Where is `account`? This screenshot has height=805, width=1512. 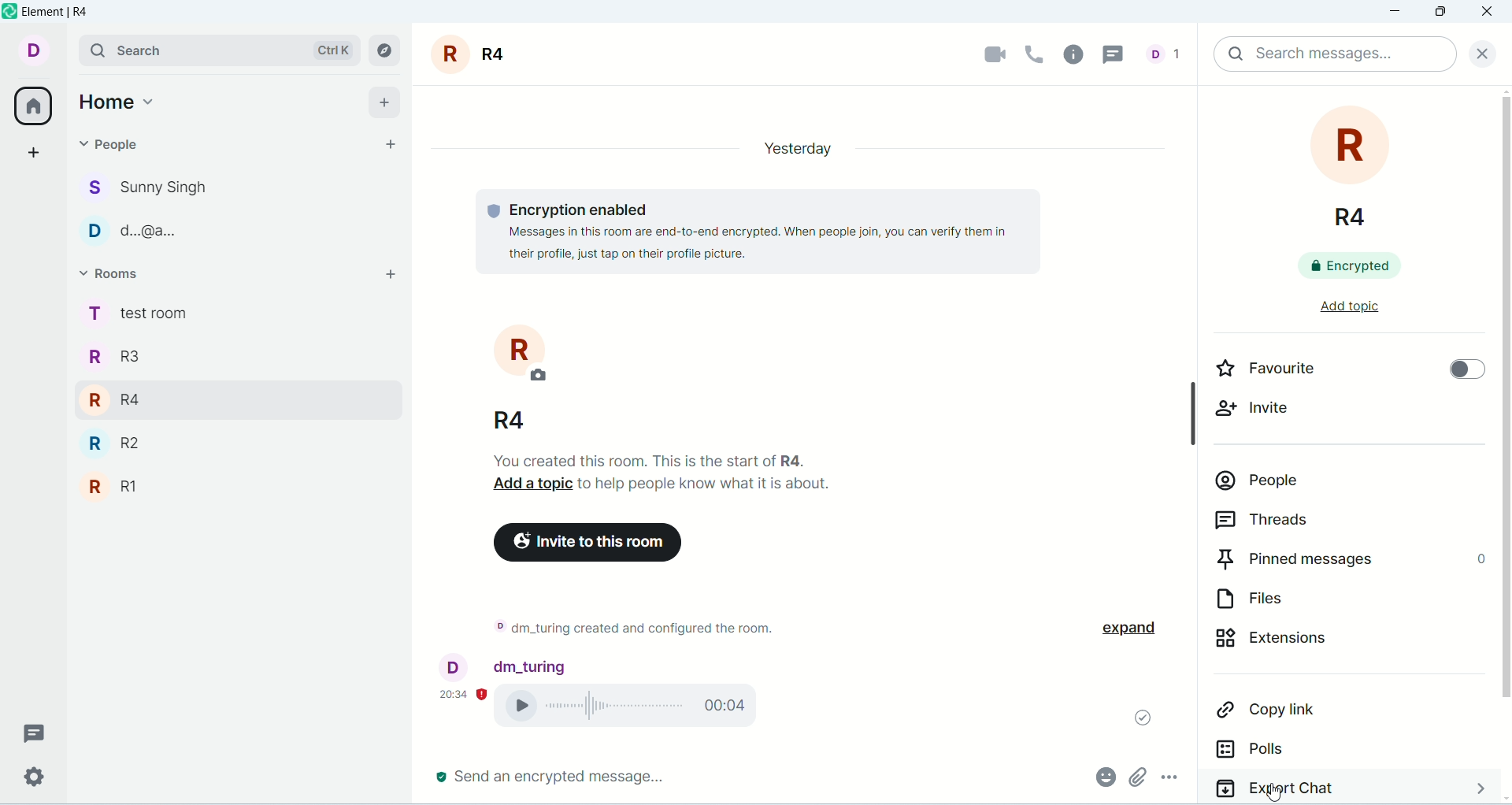
account is located at coordinates (505, 665).